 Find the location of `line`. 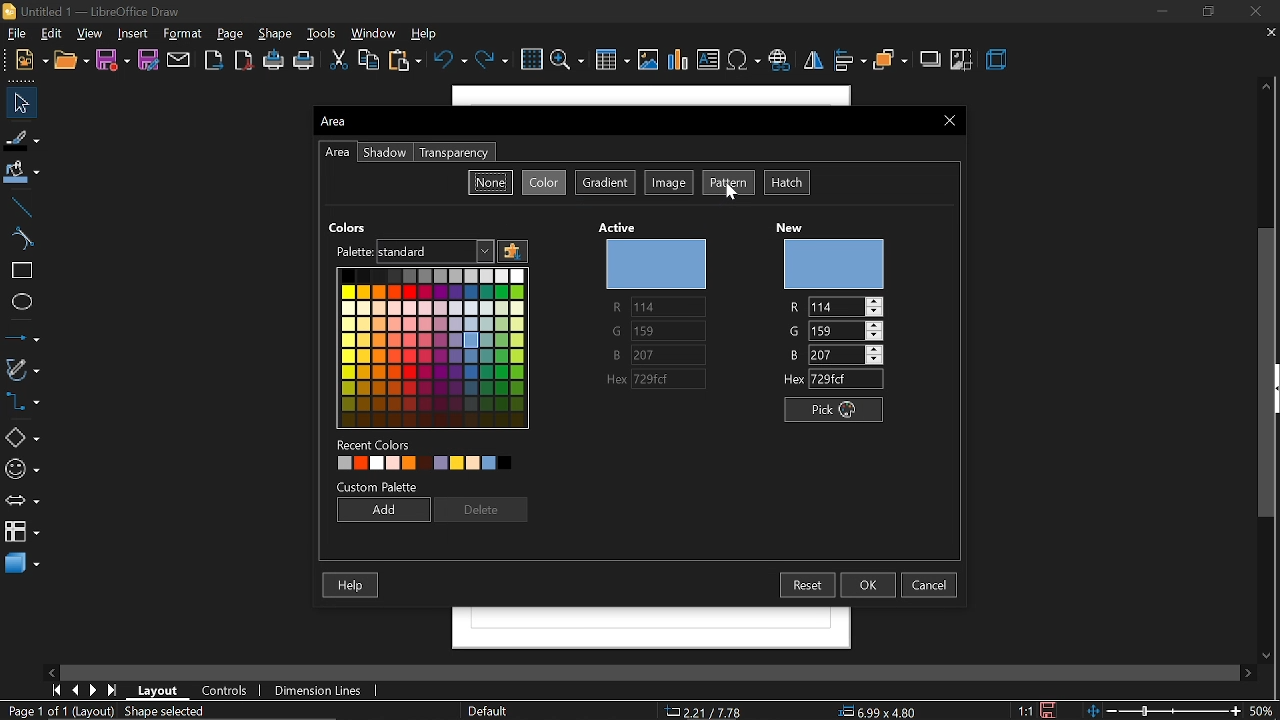

line is located at coordinates (23, 207).